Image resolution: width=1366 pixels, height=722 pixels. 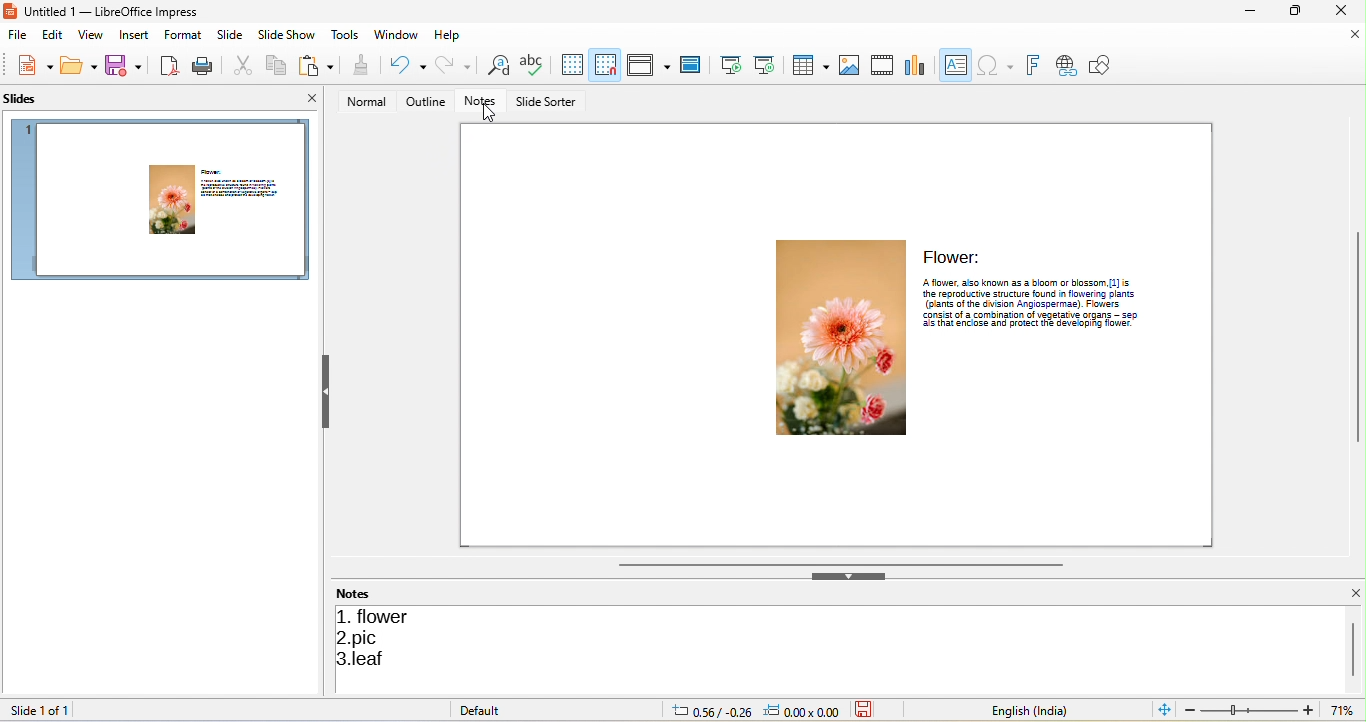 I want to click on master slide, so click(x=692, y=65).